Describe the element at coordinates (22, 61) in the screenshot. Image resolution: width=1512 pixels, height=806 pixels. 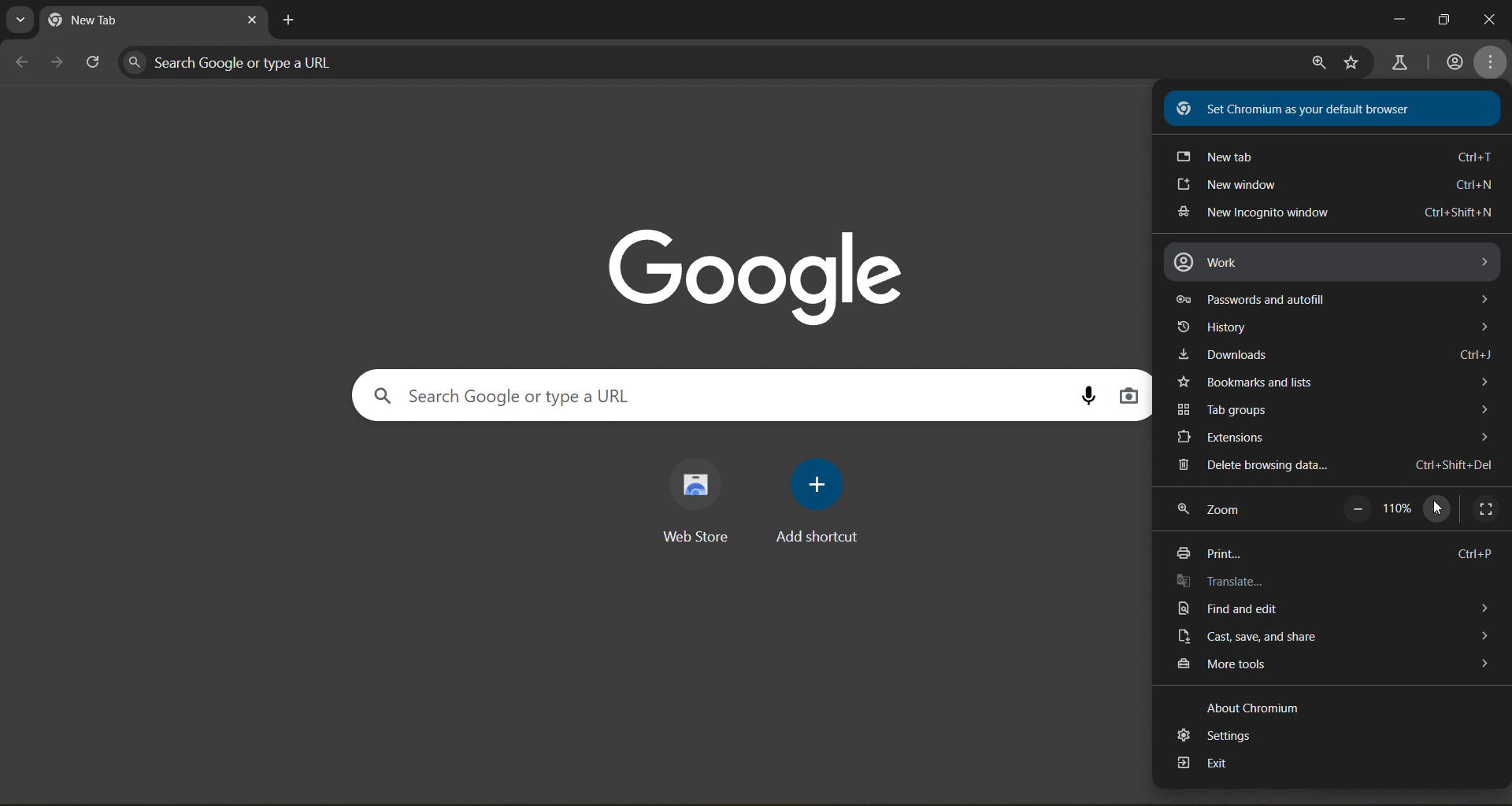
I see `go back one page` at that location.